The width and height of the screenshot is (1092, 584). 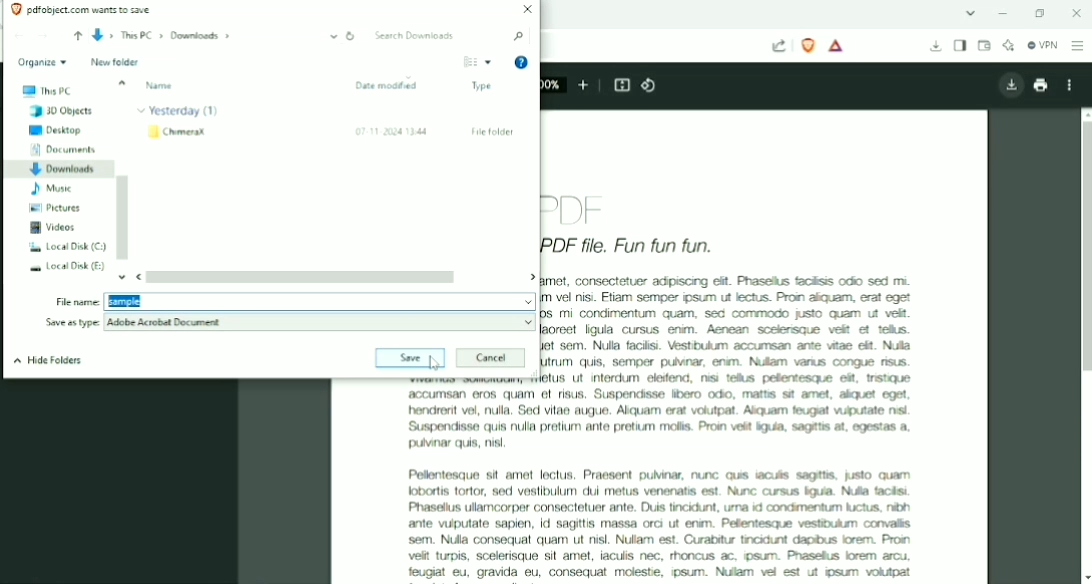 What do you see at coordinates (650, 85) in the screenshot?
I see `Rotate Counterclockwise` at bounding box center [650, 85].